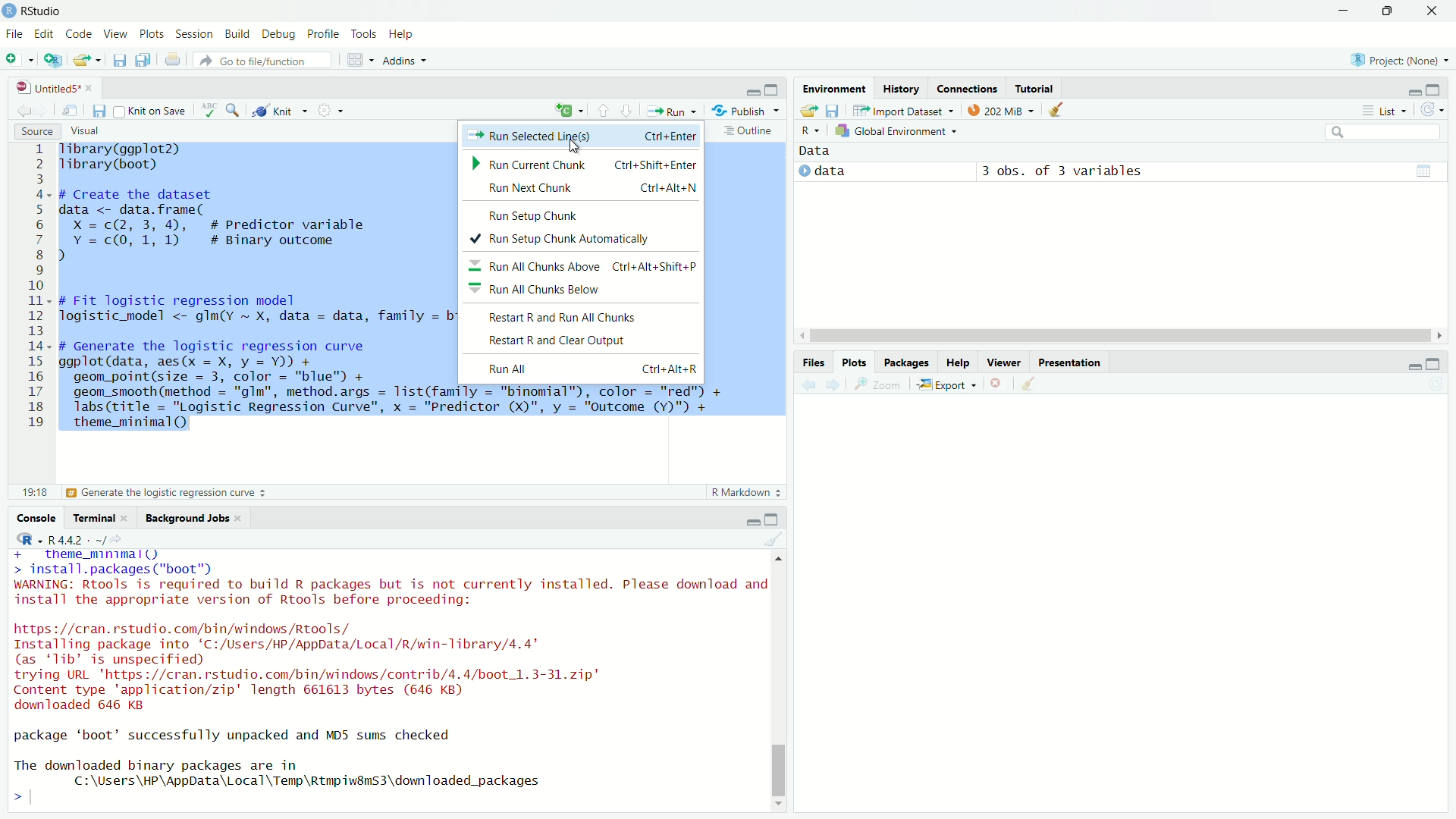 The image size is (1456, 819). I want to click on Import Dataset, so click(903, 110).